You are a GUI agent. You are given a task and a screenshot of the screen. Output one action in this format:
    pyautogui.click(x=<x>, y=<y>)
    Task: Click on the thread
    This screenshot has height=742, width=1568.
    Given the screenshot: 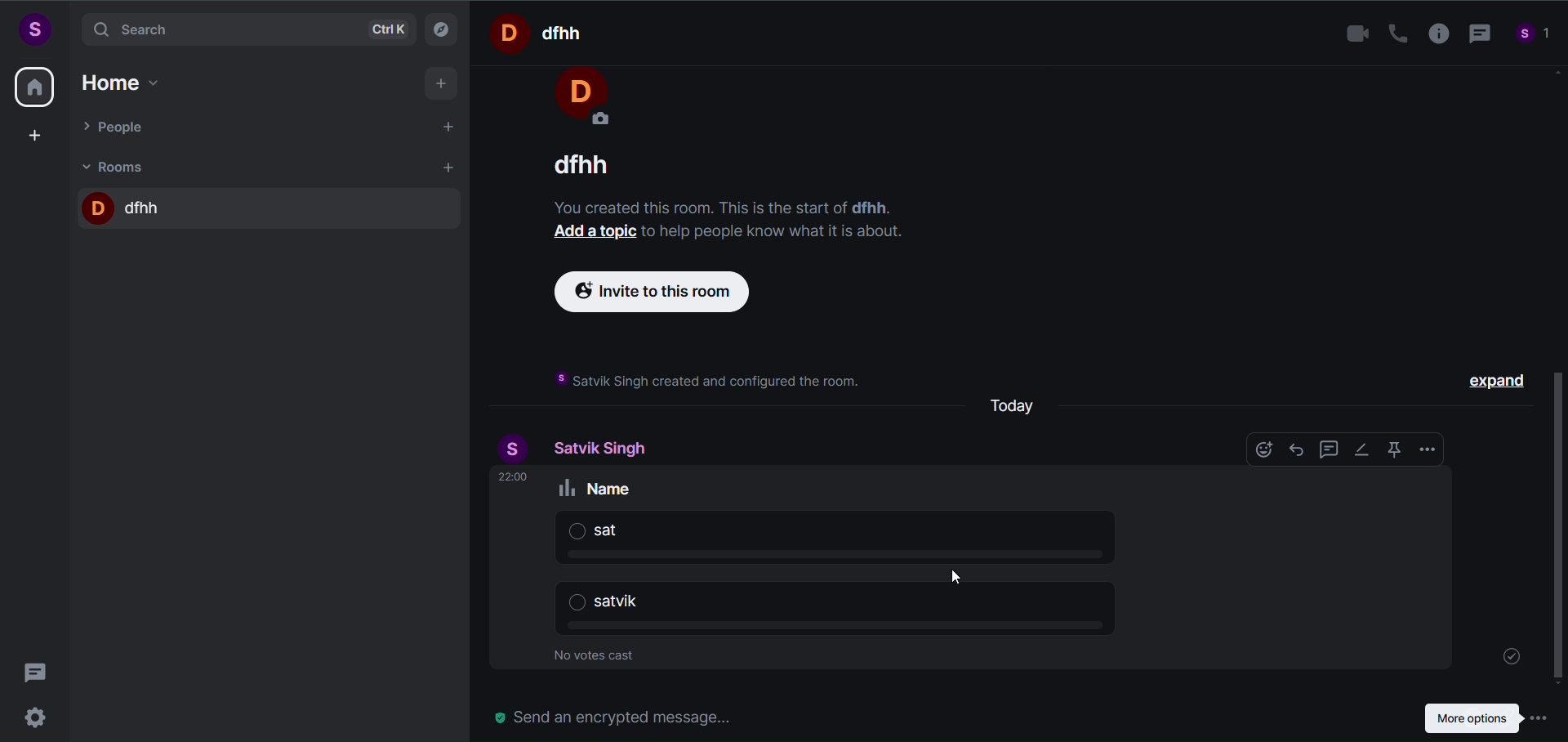 What is the action you would take?
    pyautogui.click(x=1477, y=35)
    